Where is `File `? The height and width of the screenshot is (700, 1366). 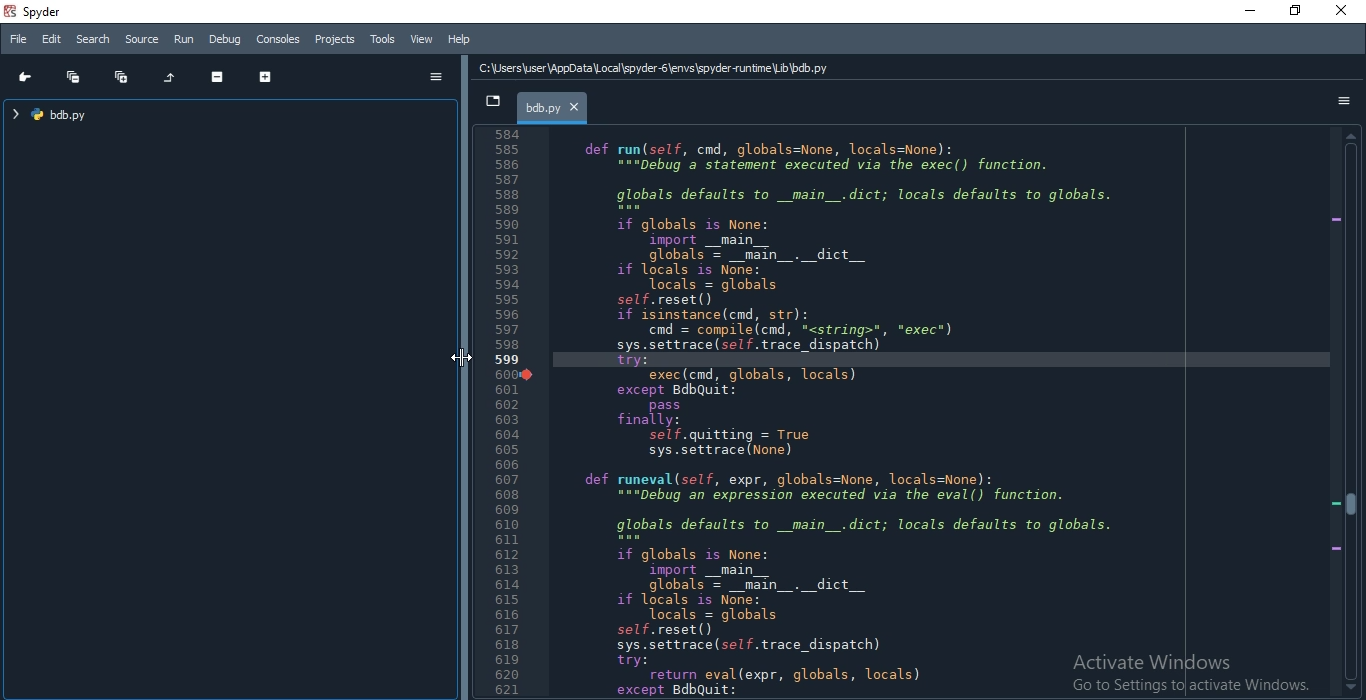
File  is located at coordinates (19, 41).